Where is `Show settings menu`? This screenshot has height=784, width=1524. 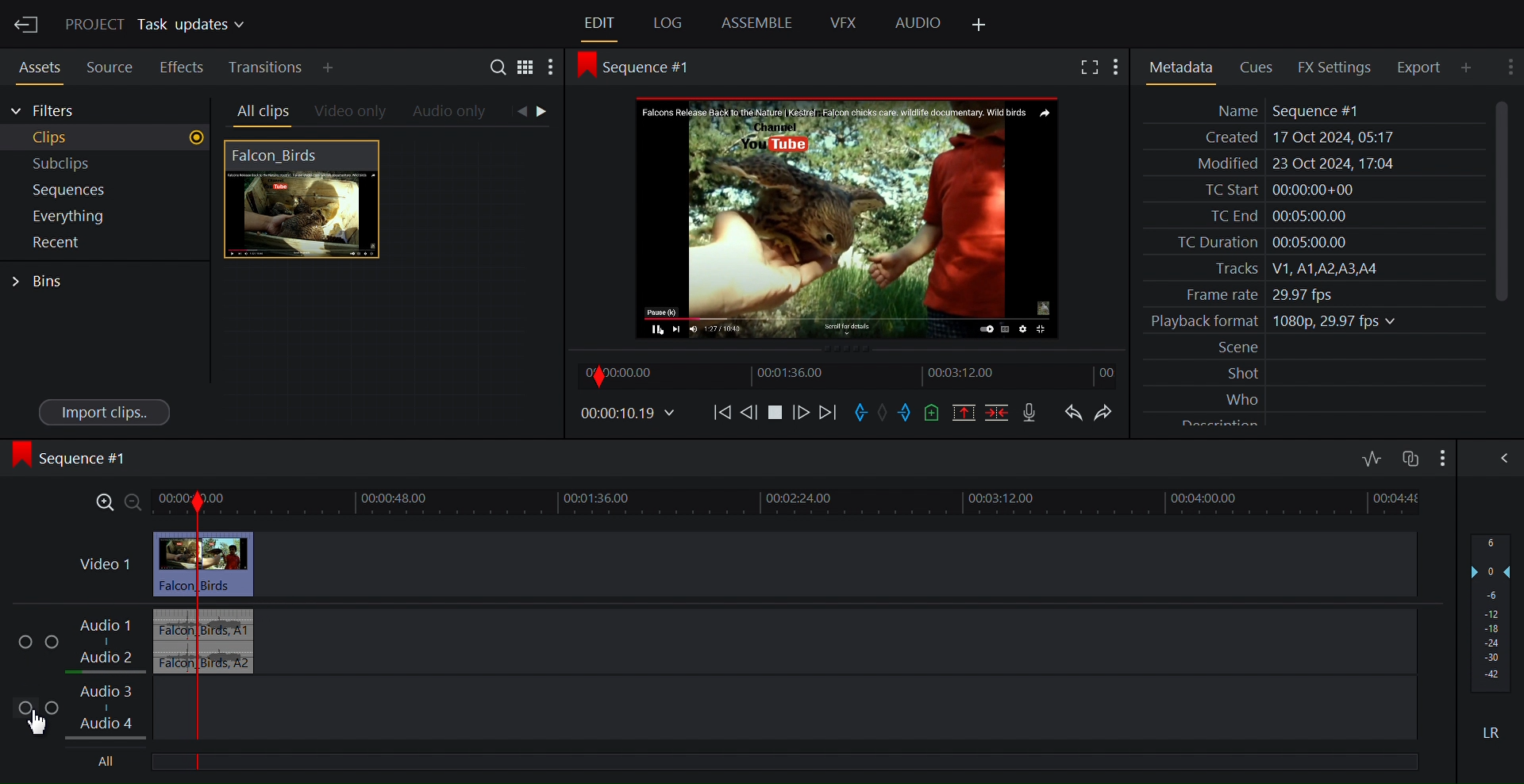 Show settings menu is located at coordinates (1120, 67).